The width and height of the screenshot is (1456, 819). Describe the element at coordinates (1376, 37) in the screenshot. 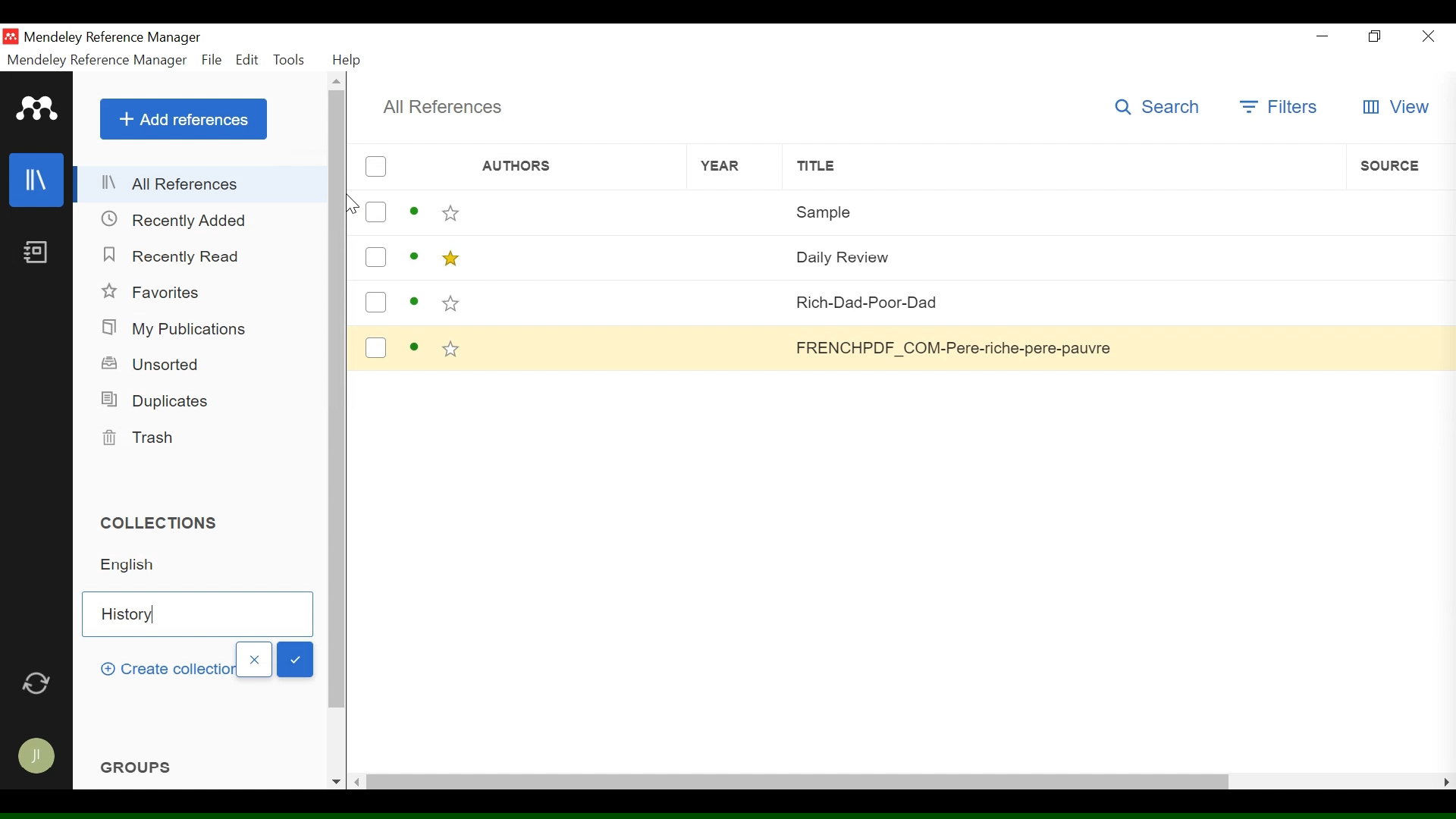

I see `Restore` at that location.